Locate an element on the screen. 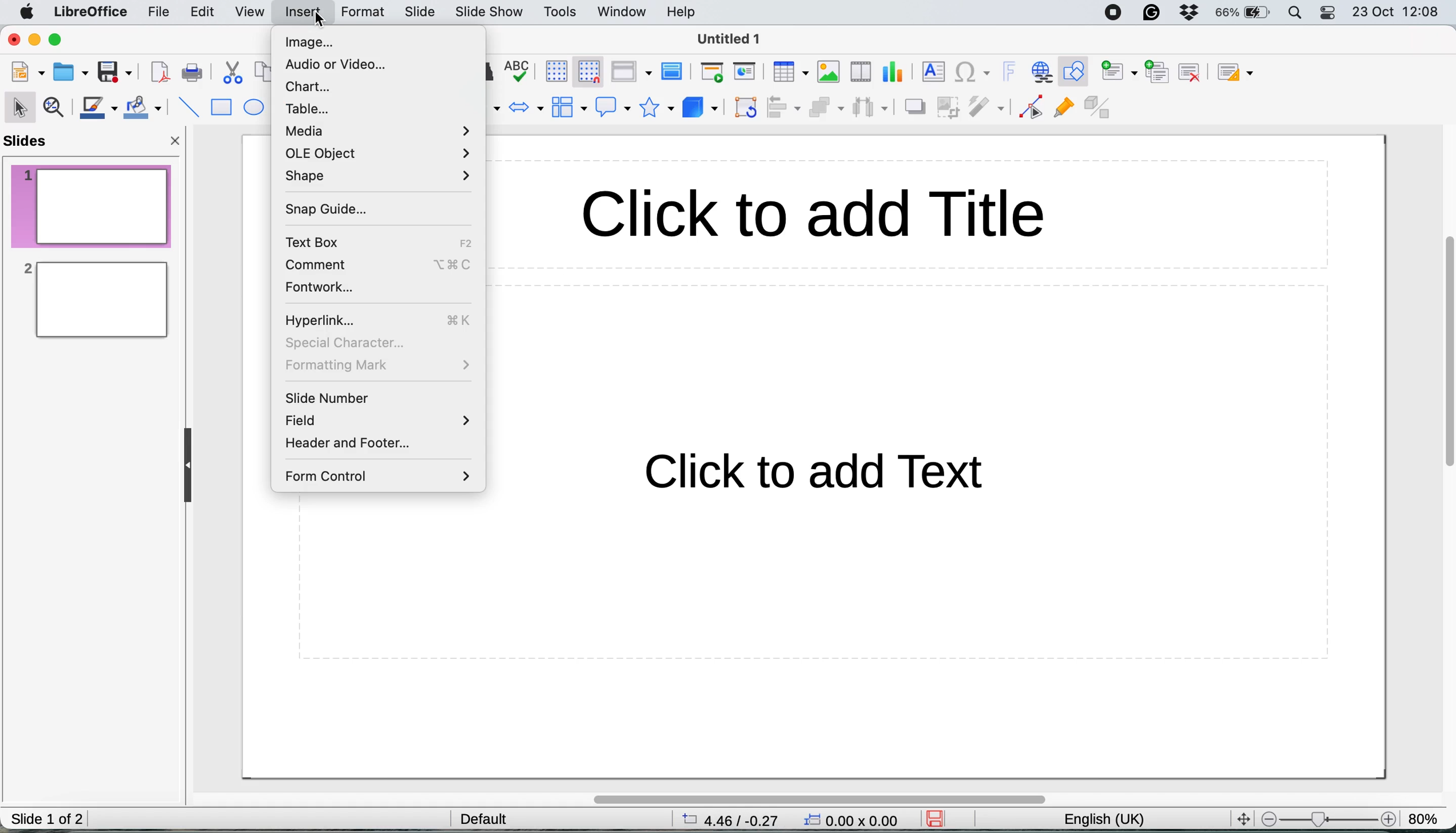 The height and width of the screenshot is (833, 1456). fontwork is located at coordinates (320, 288).